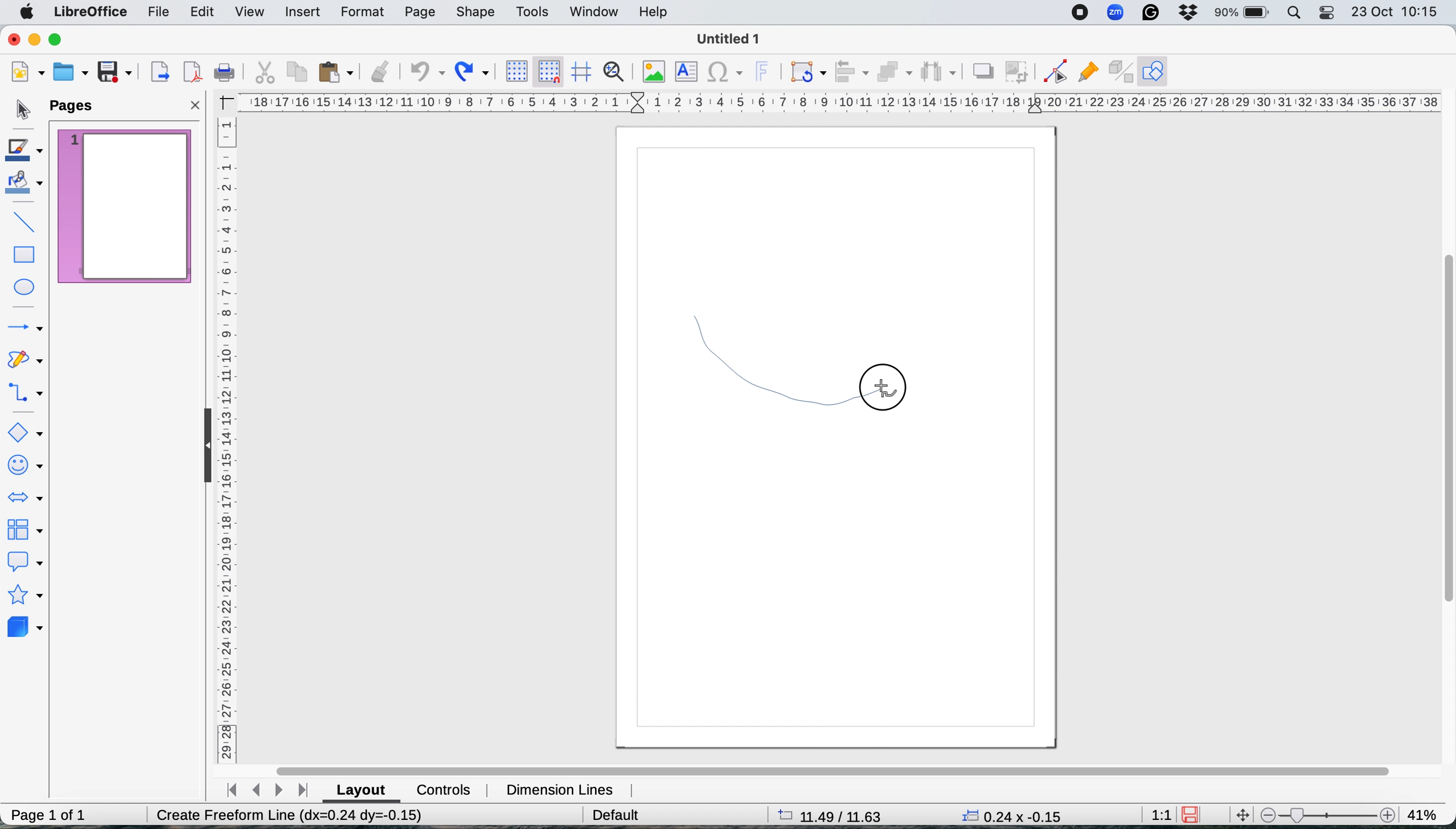 This screenshot has height=829, width=1456. What do you see at coordinates (1443, 428) in the screenshot?
I see `vertical scroll bar` at bounding box center [1443, 428].